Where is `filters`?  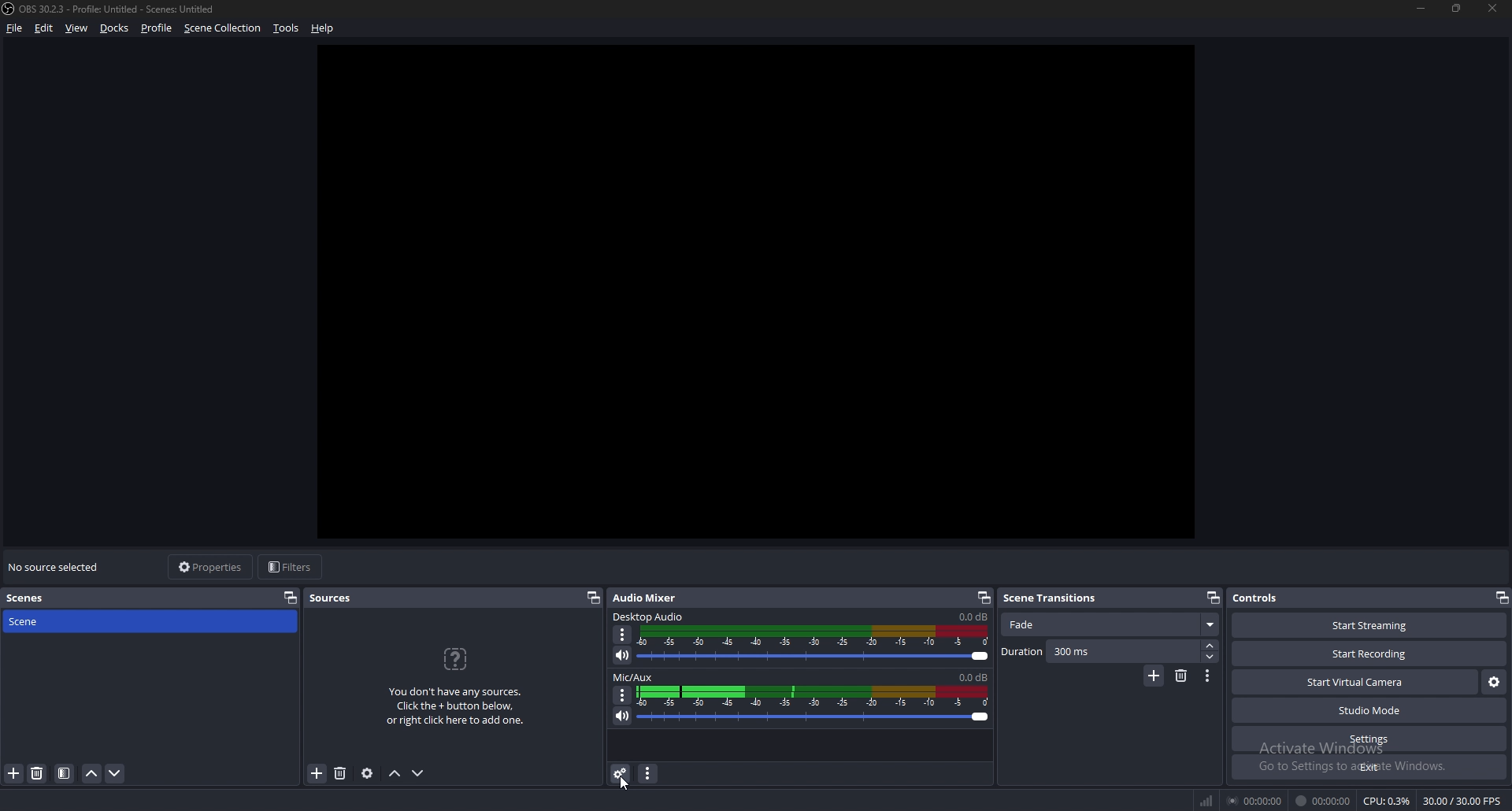 filters is located at coordinates (293, 567).